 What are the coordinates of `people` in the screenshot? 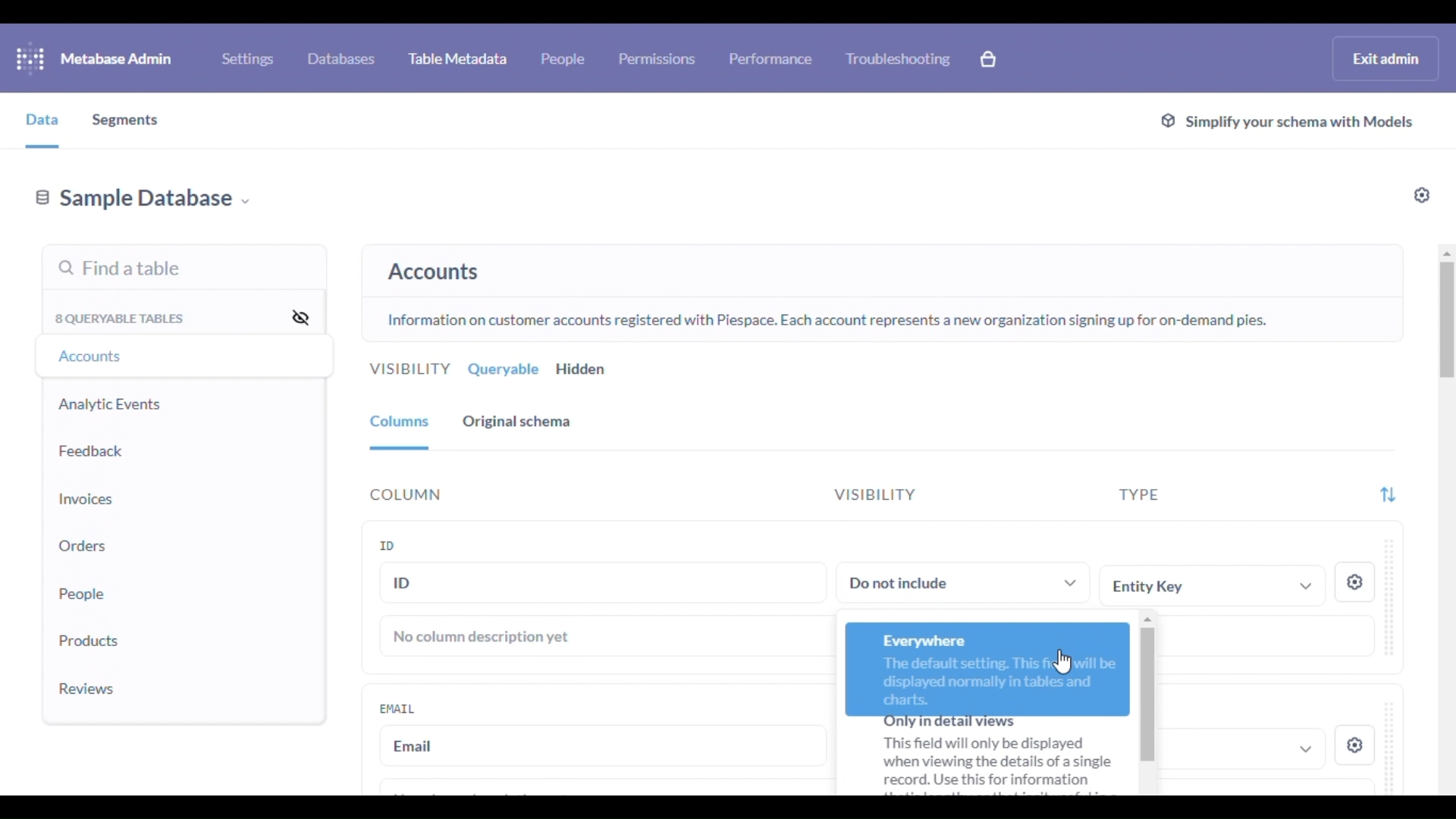 It's located at (83, 592).